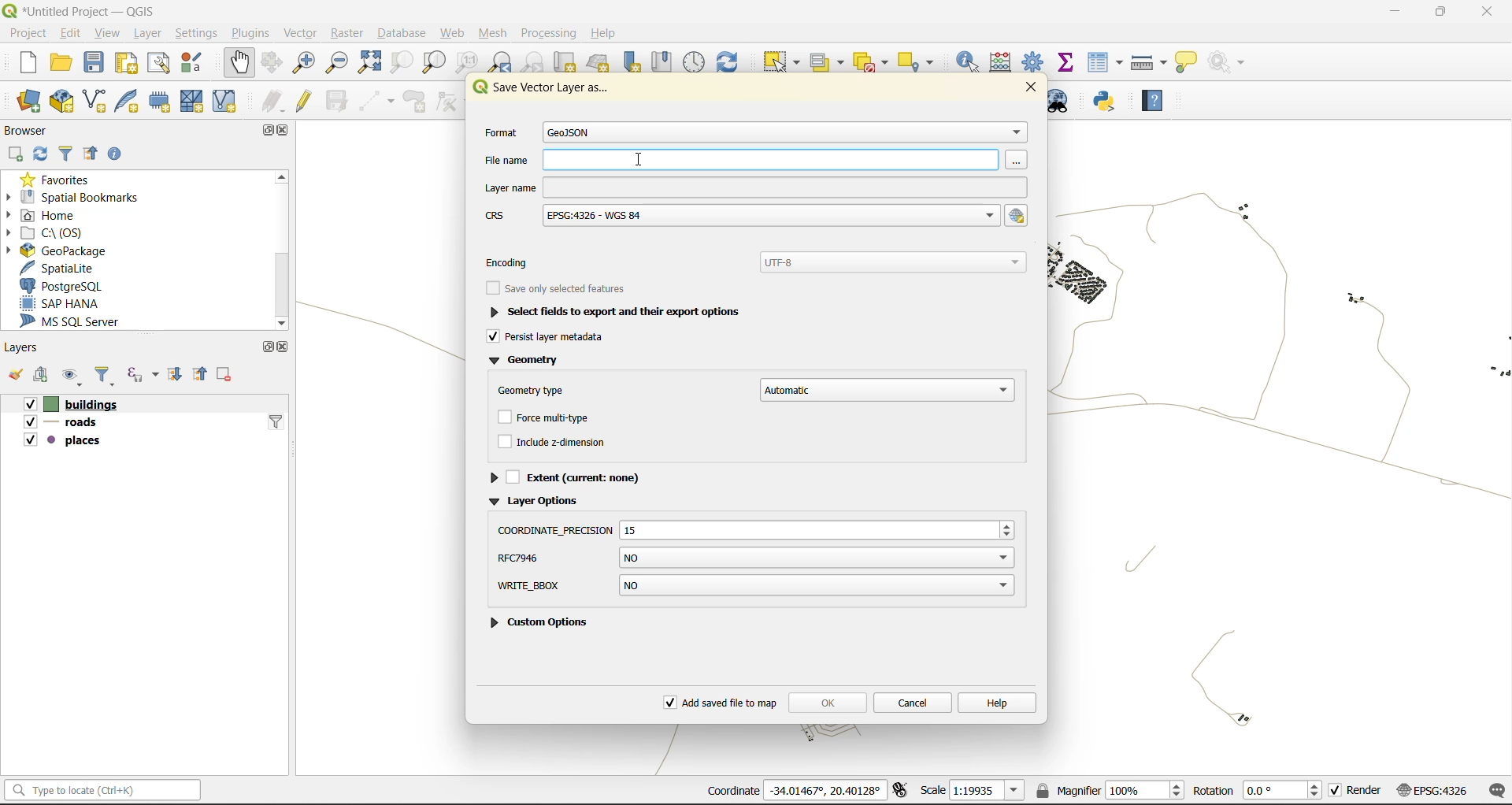 The image size is (1512, 805). Describe the element at coordinates (1185, 64) in the screenshot. I see `show tips` at that location.